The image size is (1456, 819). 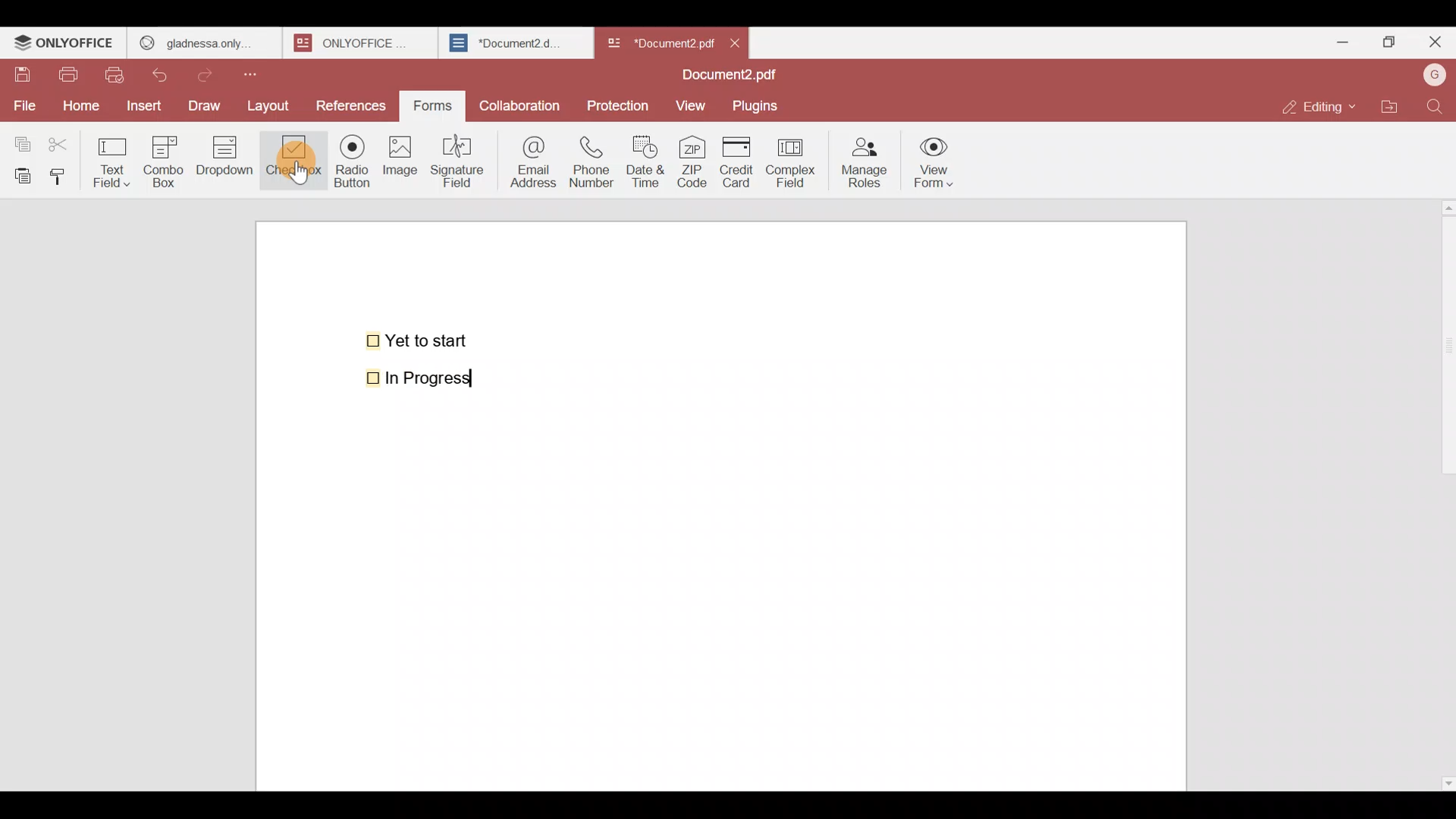 I want to click on Cut, so click(x=65, y=141).